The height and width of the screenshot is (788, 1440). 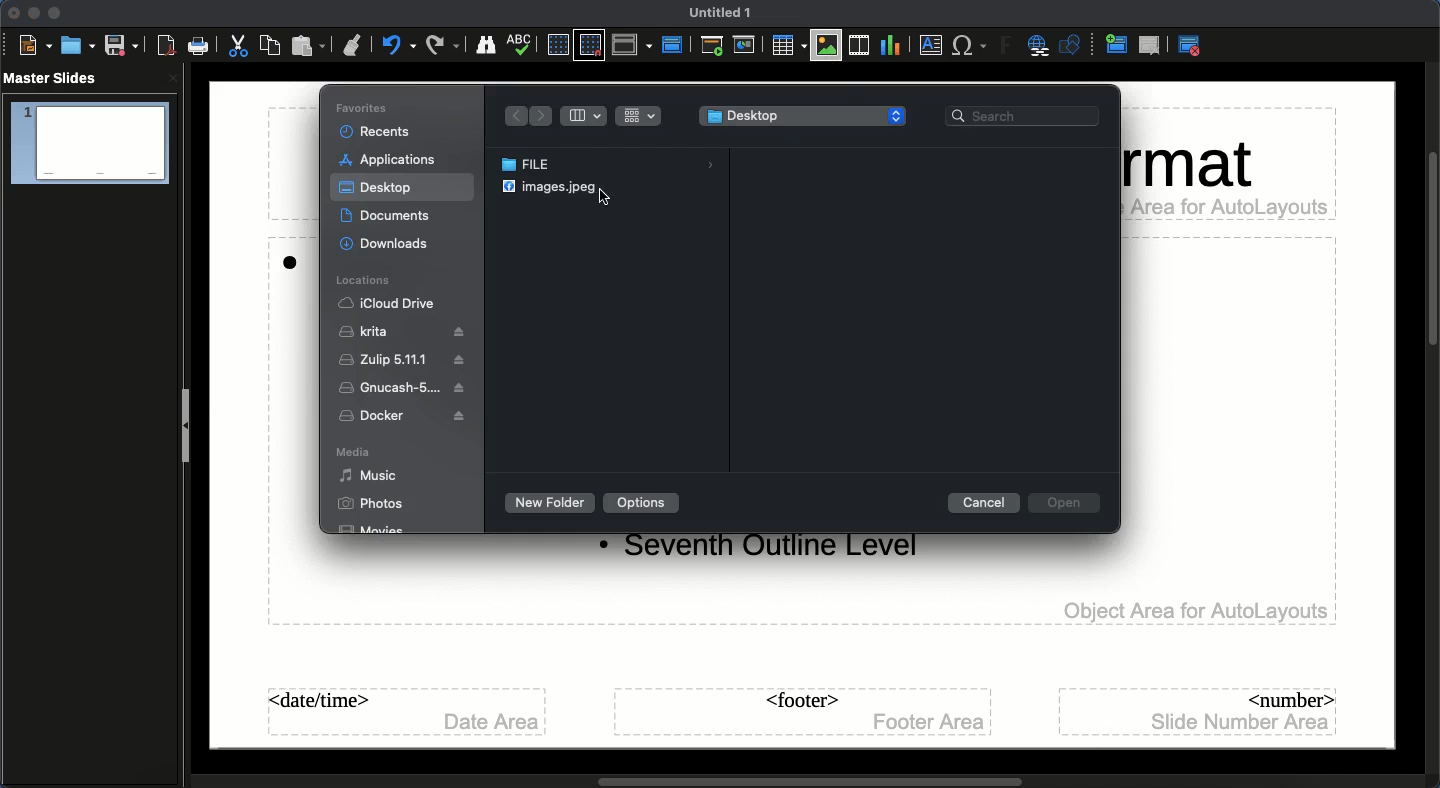 I want to click on Fontwork, so click(x=1003, y=45).